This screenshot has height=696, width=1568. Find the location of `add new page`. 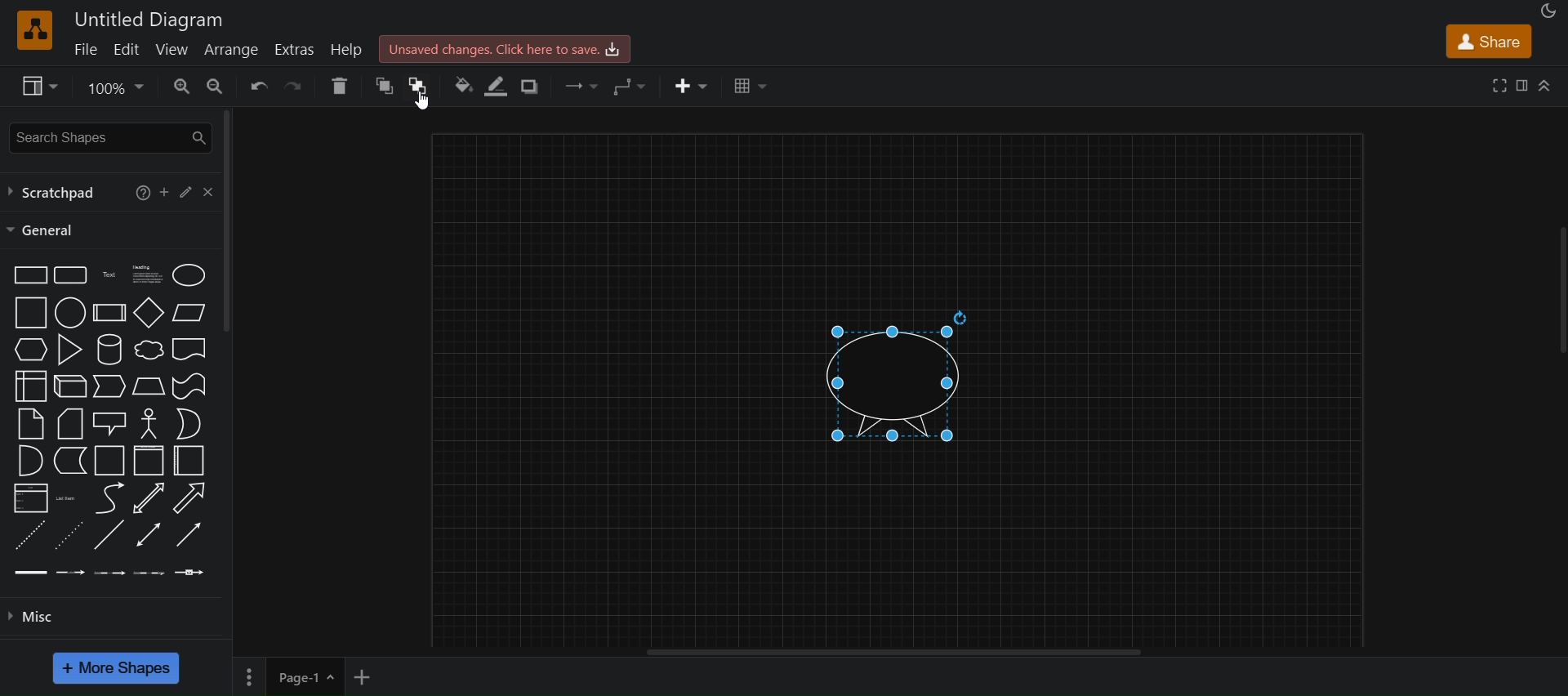

add new page is located at coordinates (371, 676).